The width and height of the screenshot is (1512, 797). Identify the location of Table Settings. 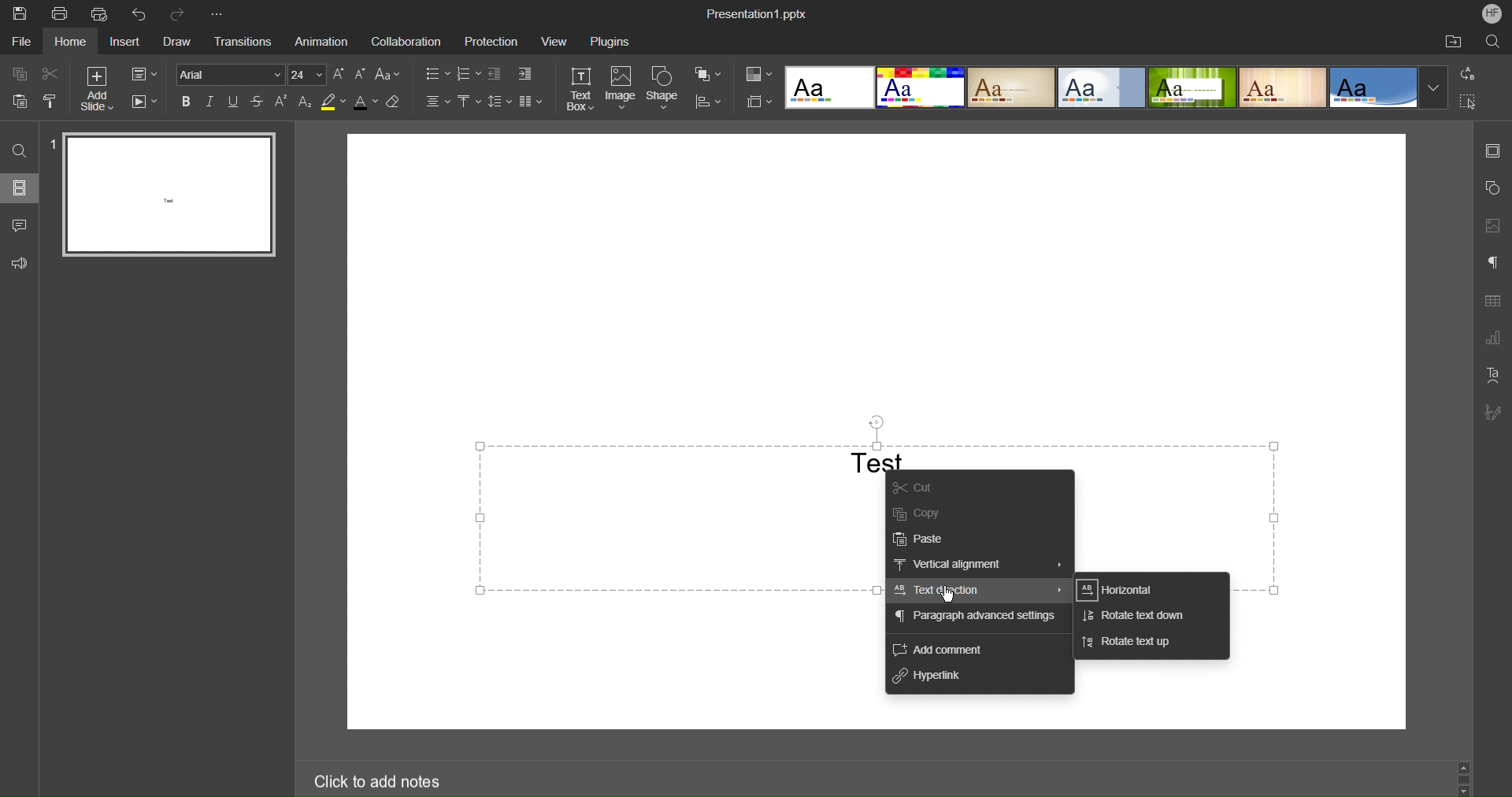
(1492, 302).